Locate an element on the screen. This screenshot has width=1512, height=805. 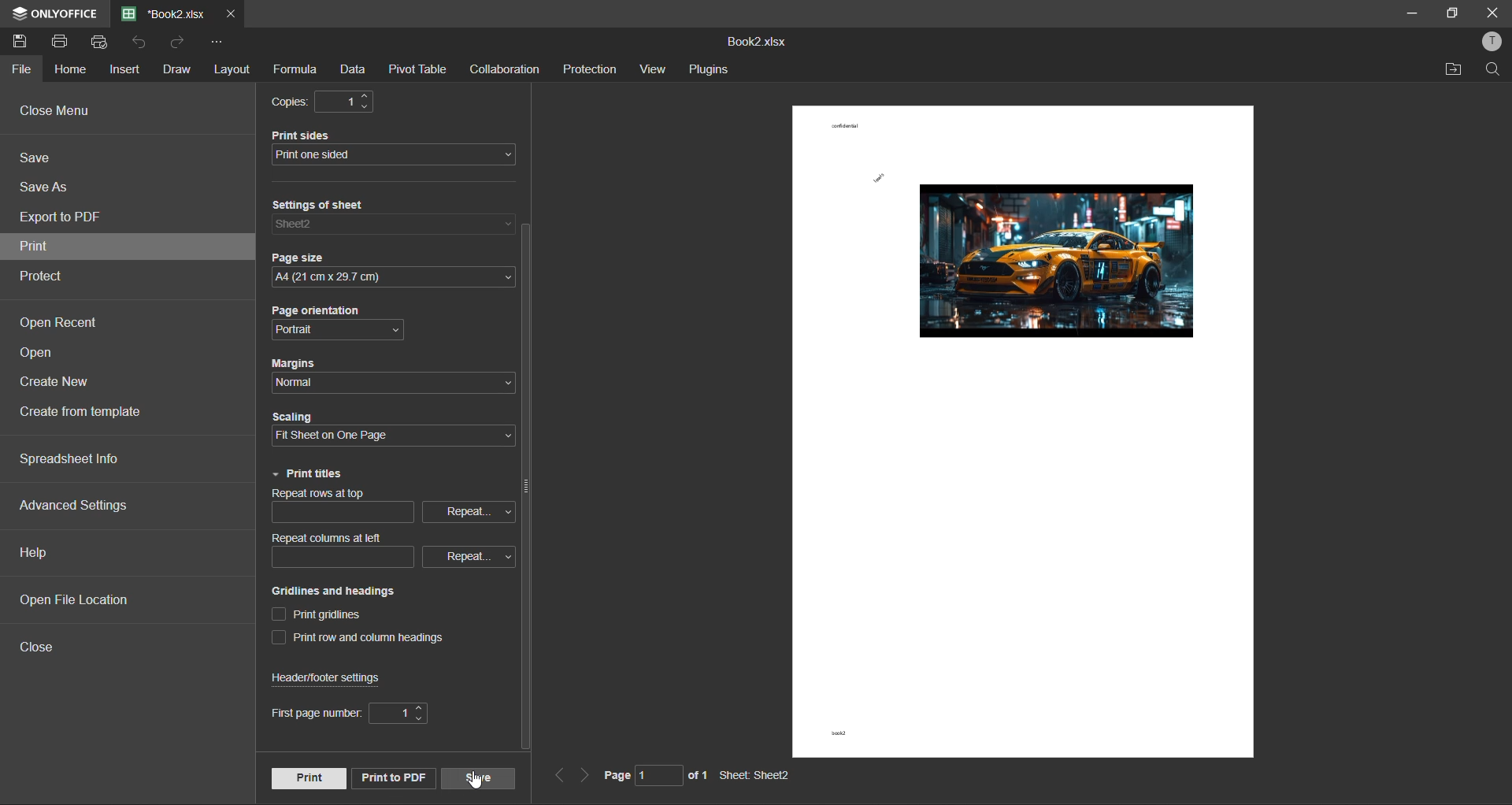
settings of sheet is located at coordinates (393, 226).